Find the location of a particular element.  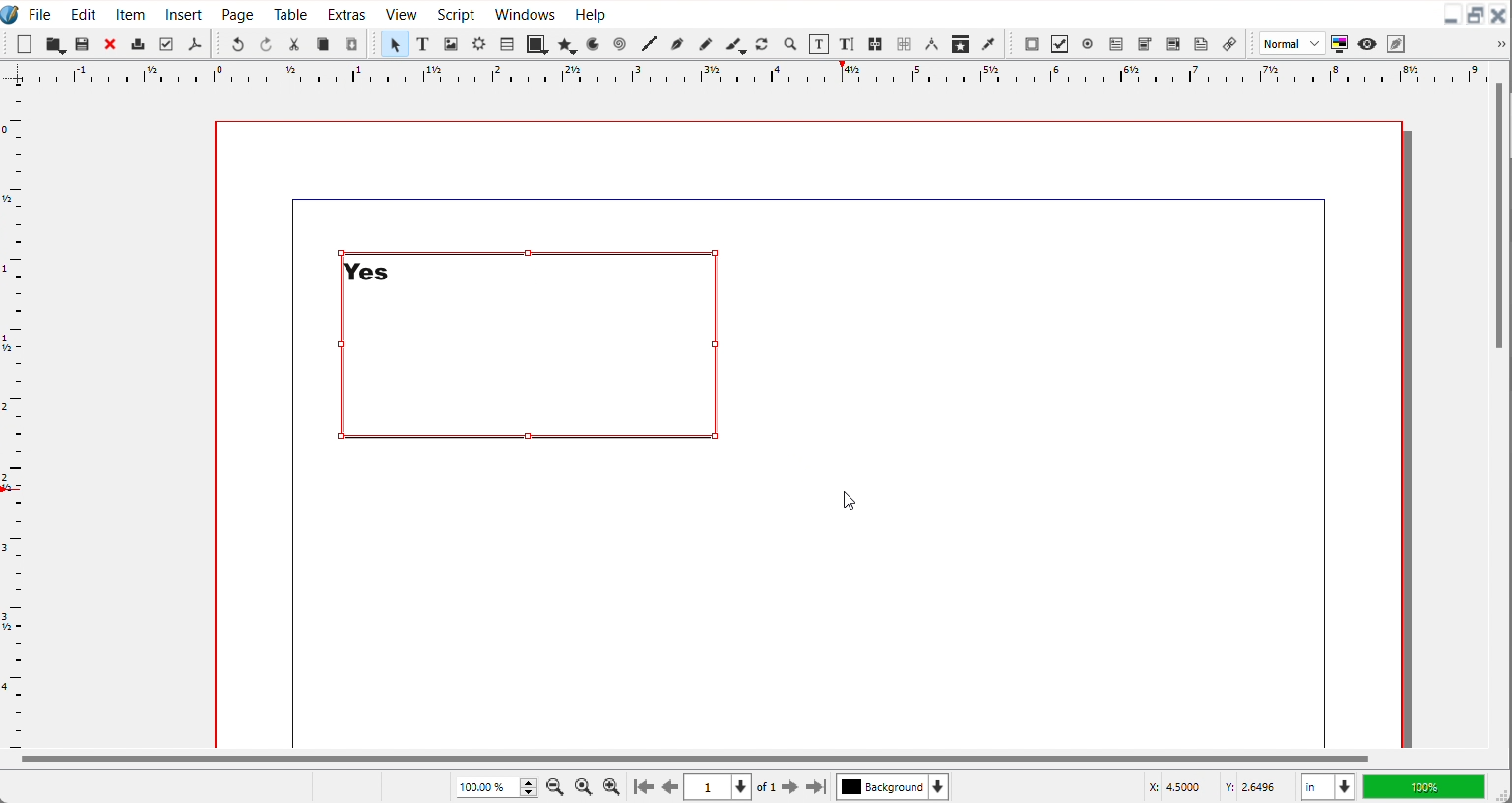

New is located at coordinates (25, 44).